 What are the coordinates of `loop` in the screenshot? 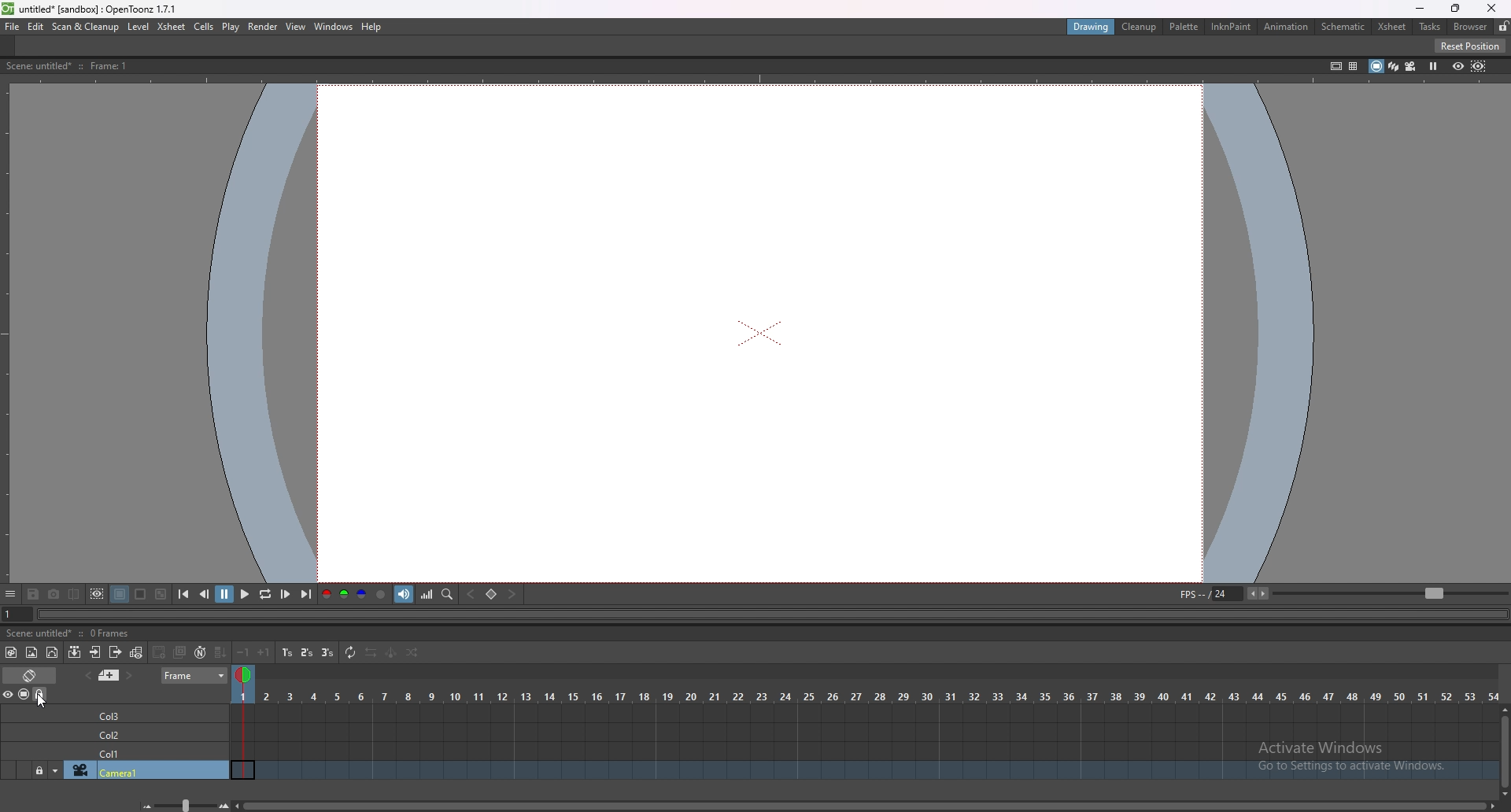 It's located at (264, 595).